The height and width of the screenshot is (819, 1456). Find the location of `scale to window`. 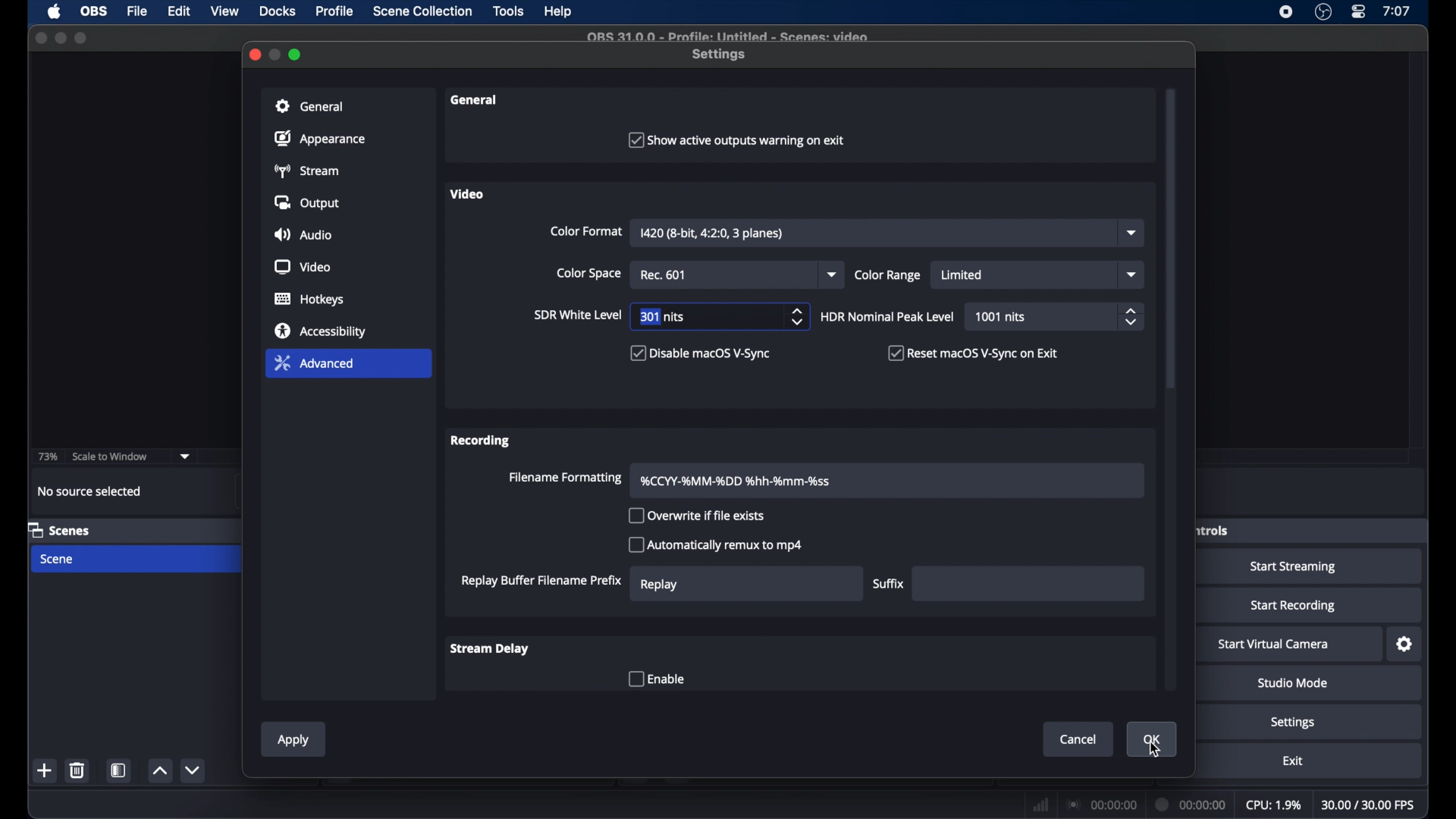

scale to window is located at coordinates (112, 457).